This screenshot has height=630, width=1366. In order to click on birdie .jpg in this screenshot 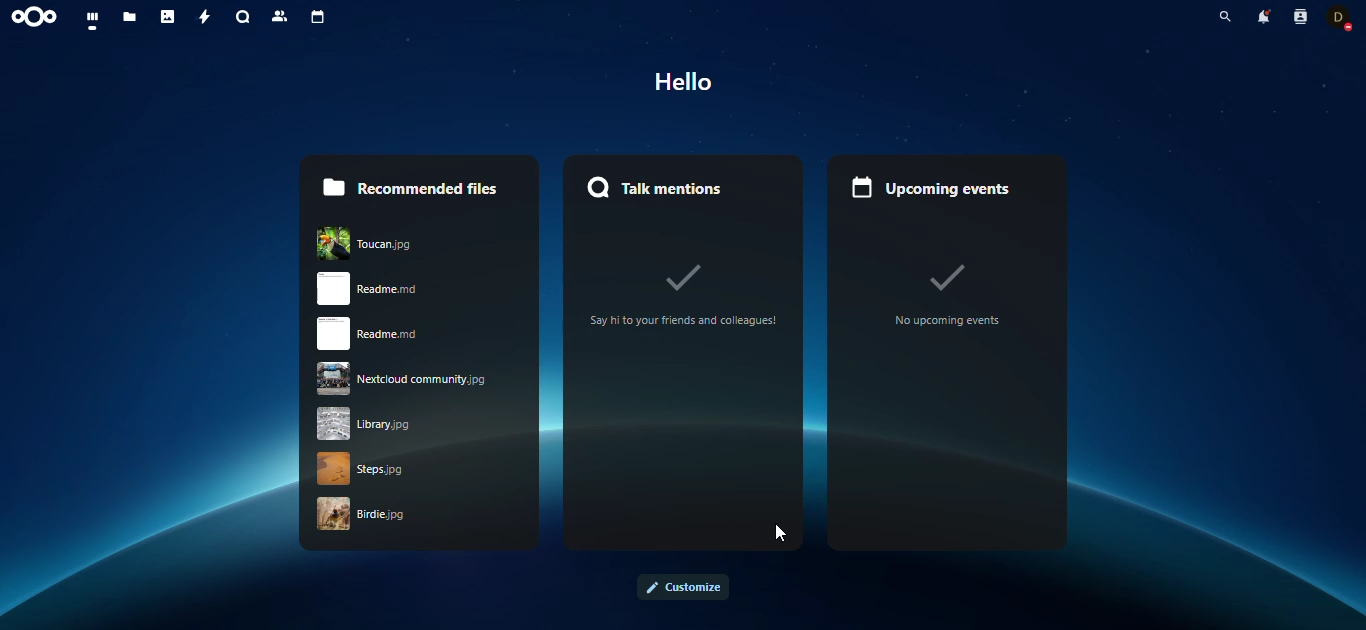, I will do `click(404, 515)`.